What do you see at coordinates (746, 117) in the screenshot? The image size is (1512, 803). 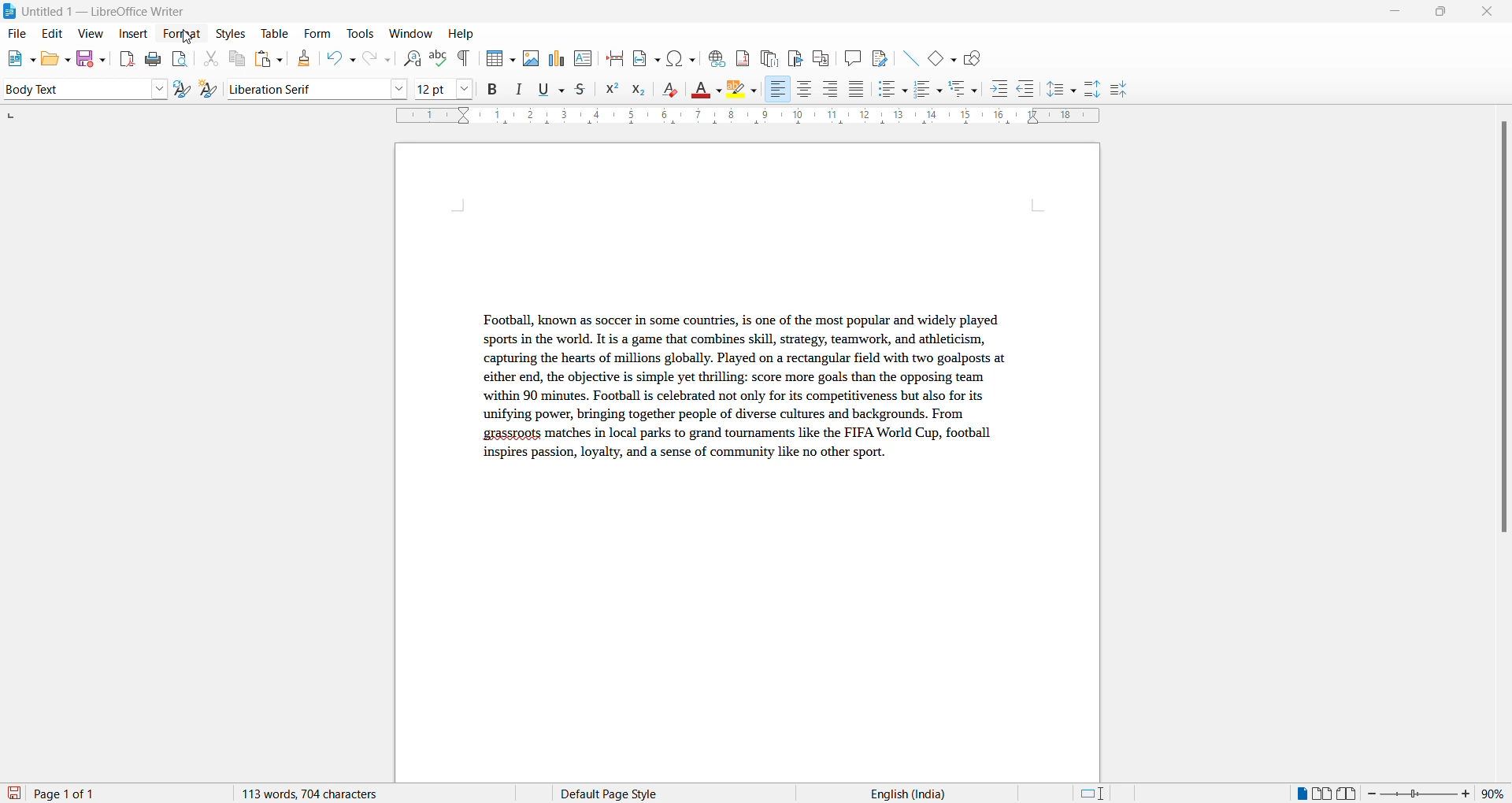 I see `scaling` at bounding box center [746, 117].